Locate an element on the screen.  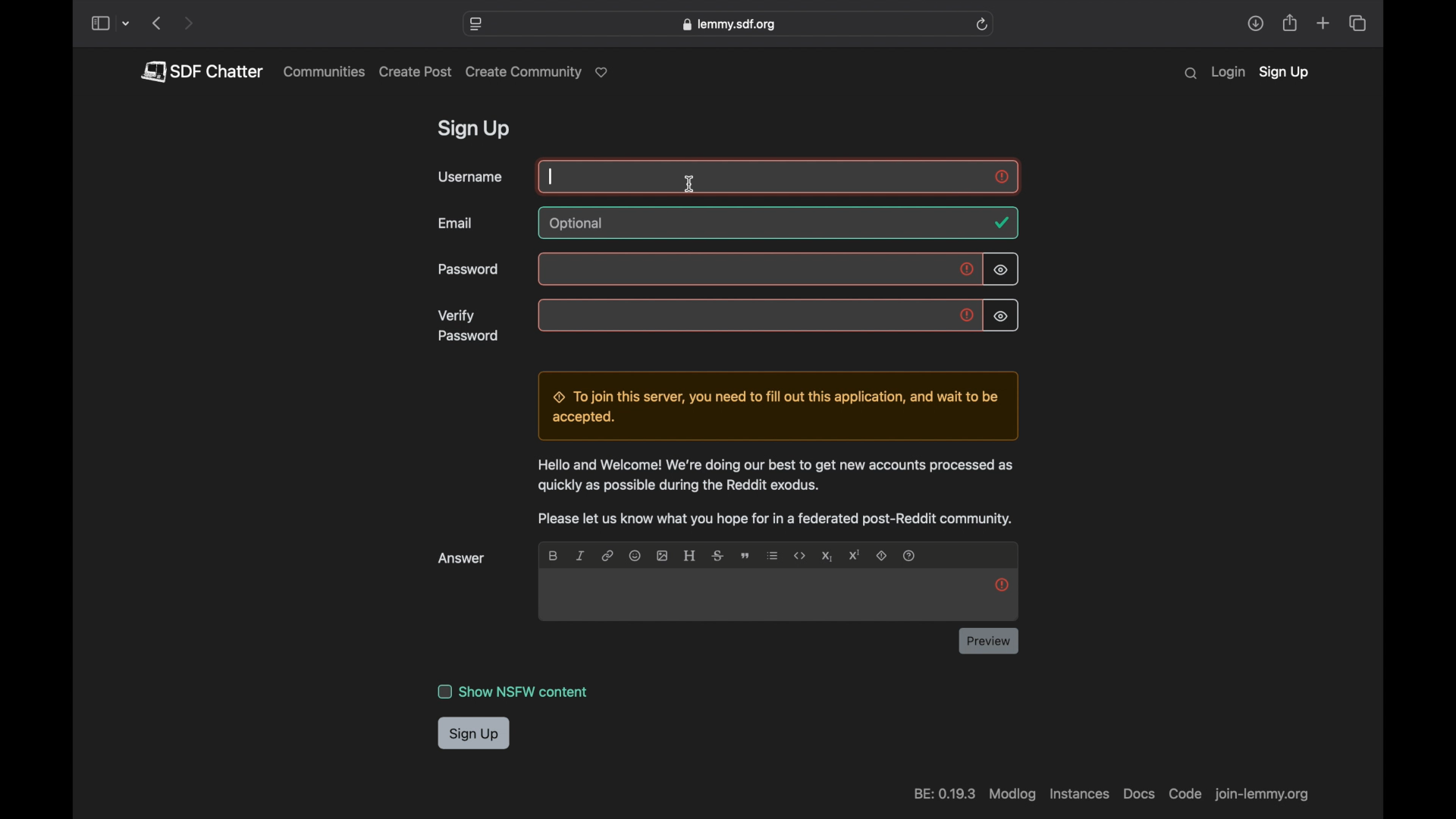
code is located at coordinates (800, 556).